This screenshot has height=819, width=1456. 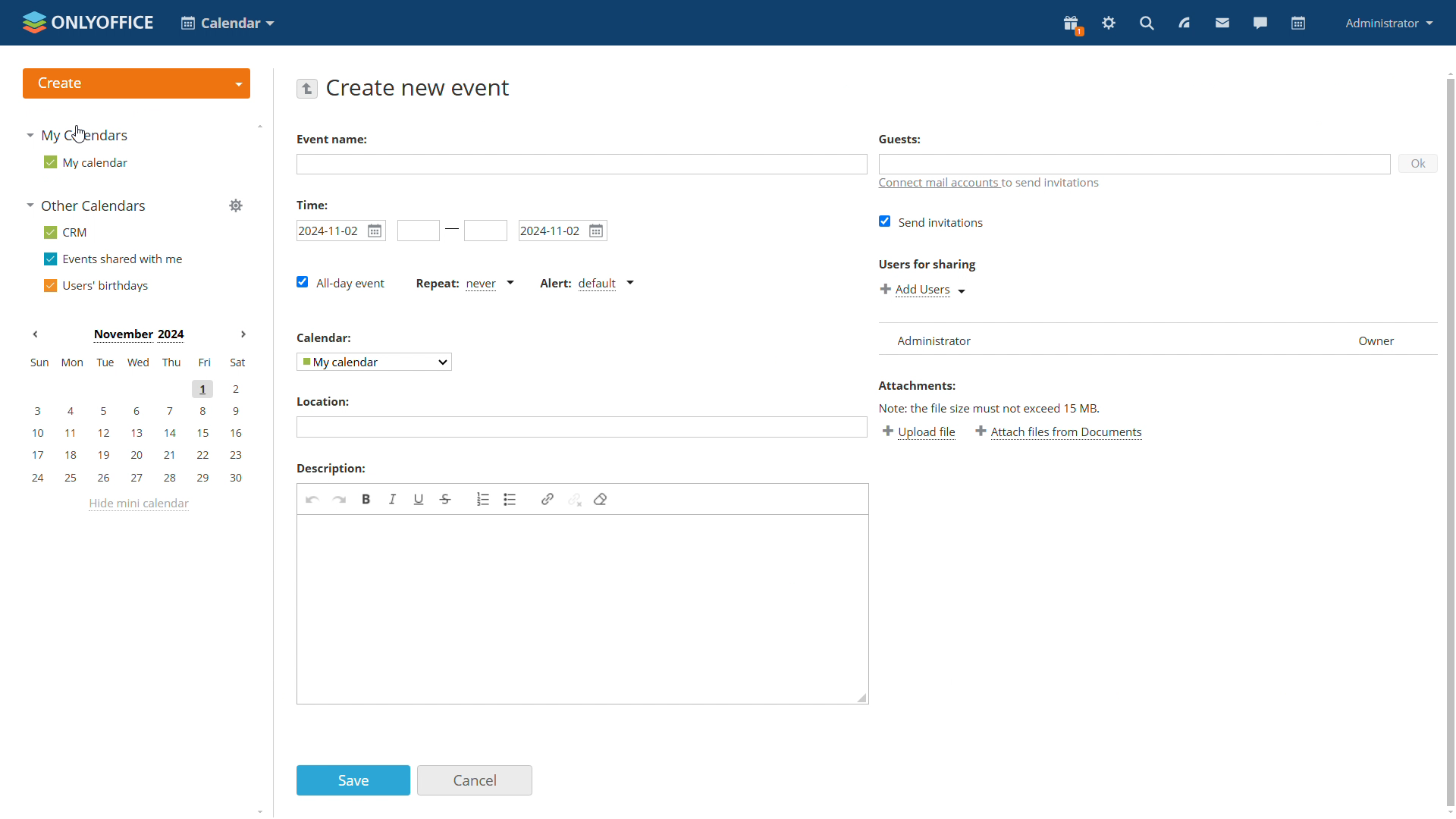 I want to click on upload file, so click(x=921, y=434).